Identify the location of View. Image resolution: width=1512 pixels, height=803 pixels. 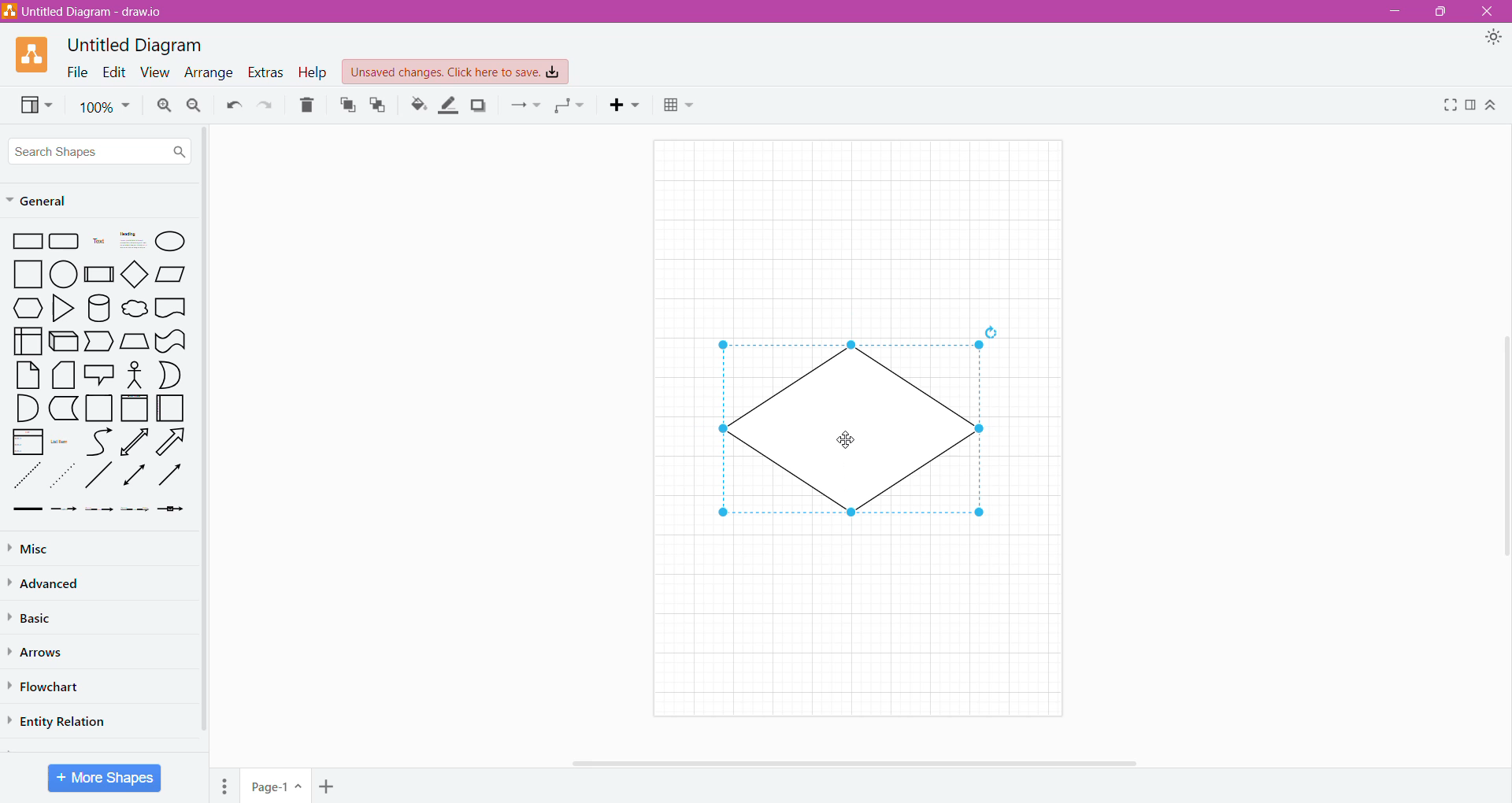
(152, 73).